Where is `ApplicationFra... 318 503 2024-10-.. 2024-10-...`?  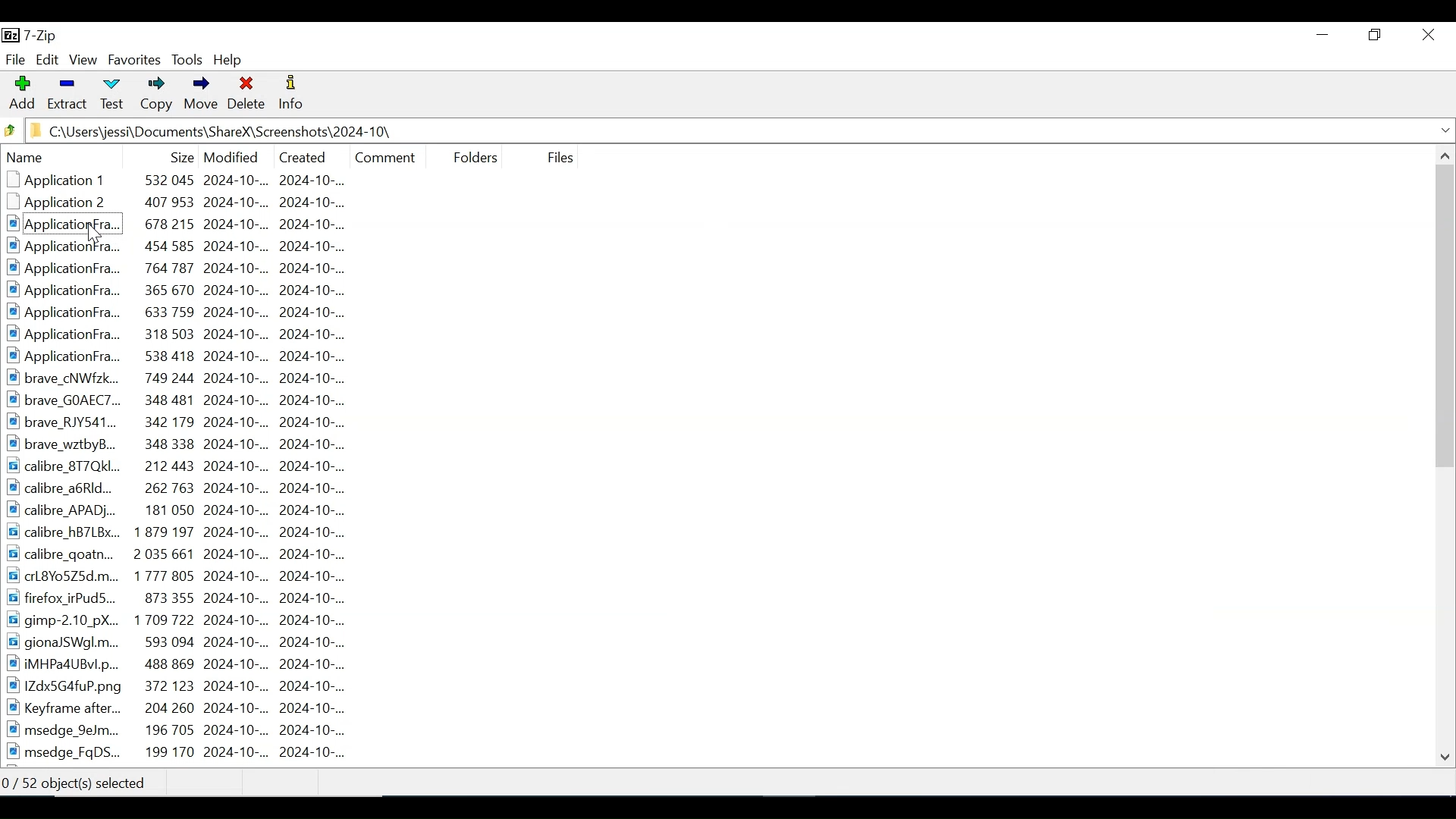
ApplicationFra... 318 503 2024-10-.. 2024-10-... is located at coordinates (185, 334).